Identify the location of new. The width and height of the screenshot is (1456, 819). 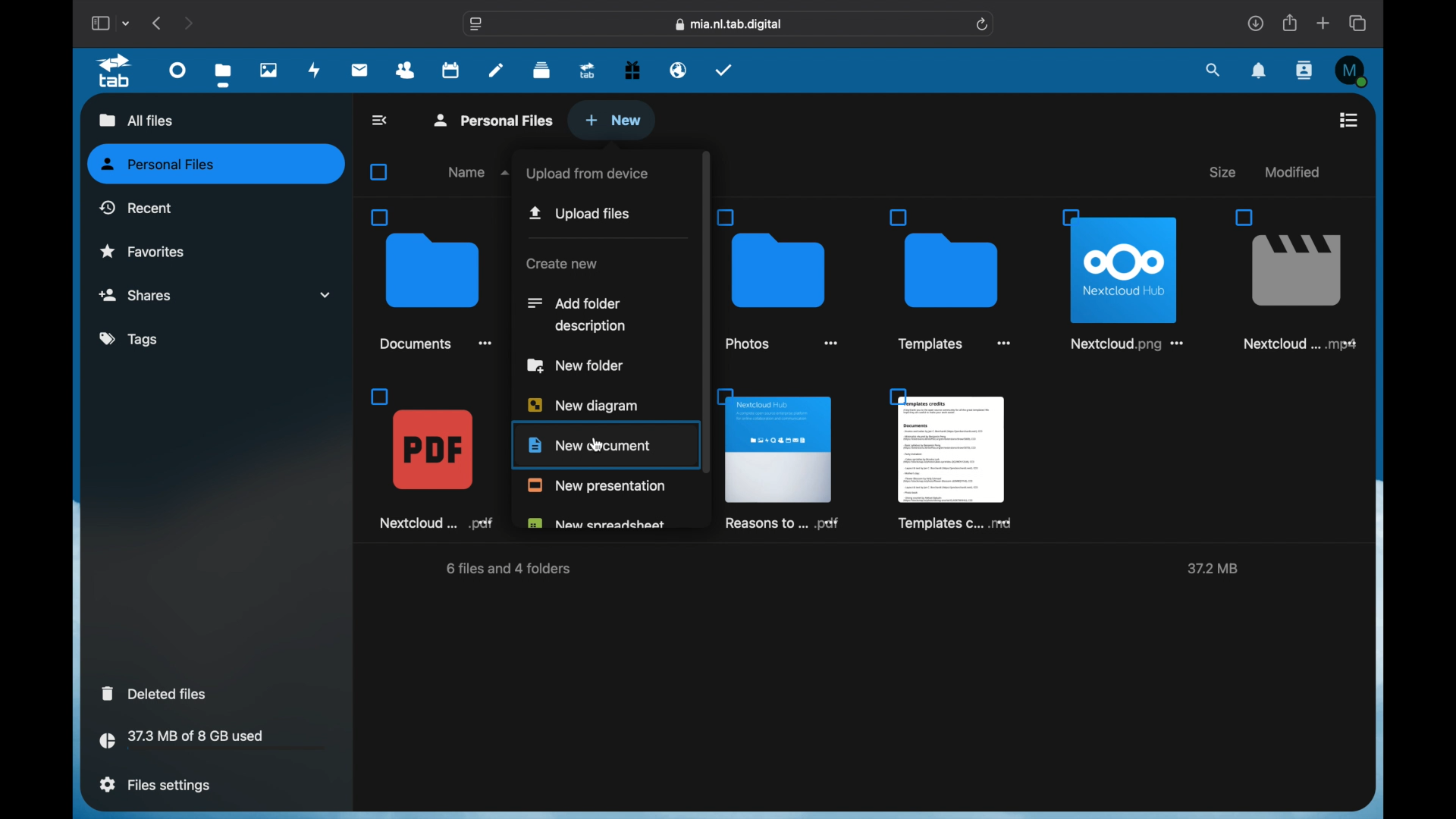
(613, 121).